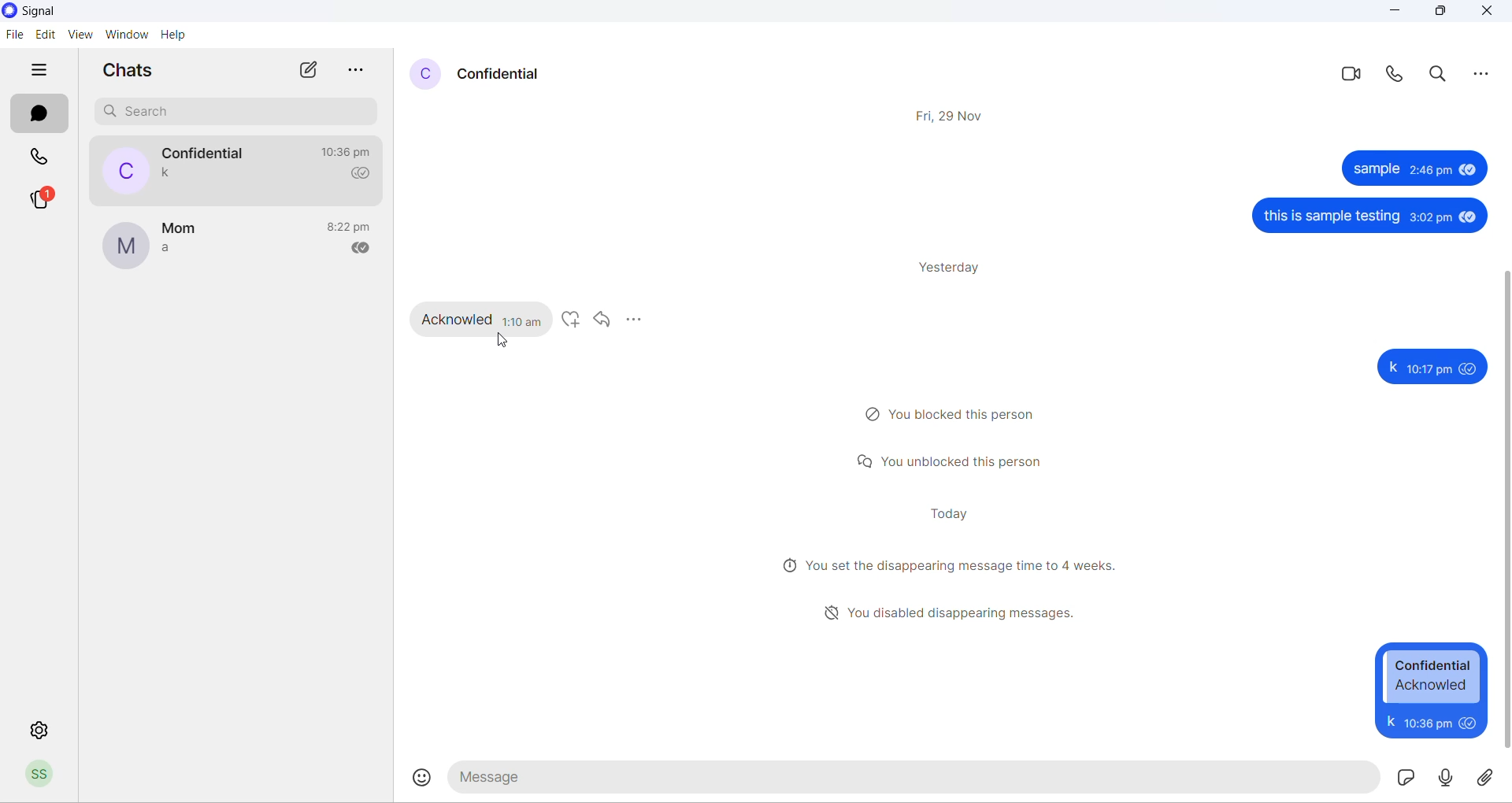 This screenshot has height=803, width=1512. Describe the element at coordinates (166, 251) in the screenshot. I see `last message` at that location.